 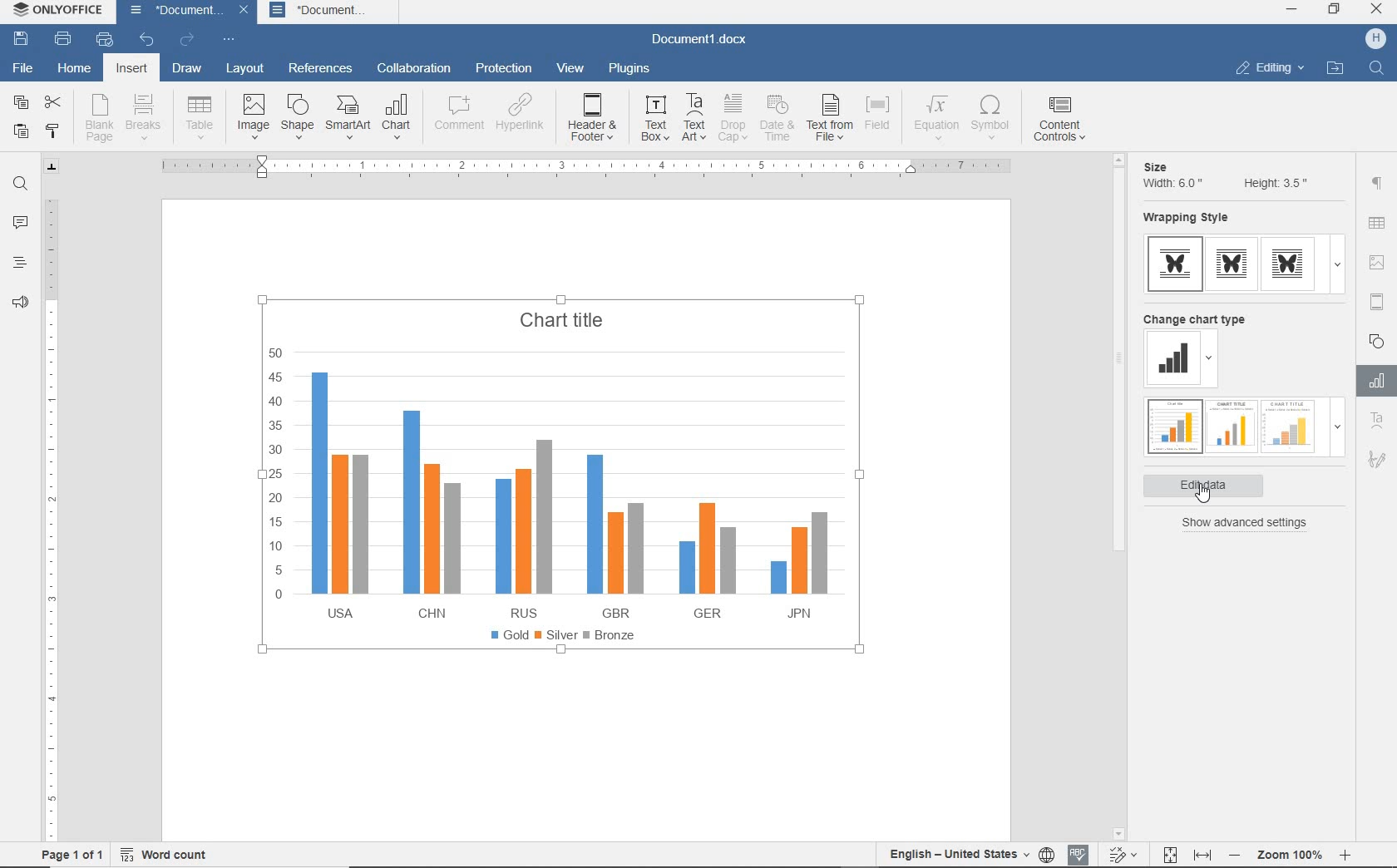 I want to click on chart, so click(x=565, y=482).